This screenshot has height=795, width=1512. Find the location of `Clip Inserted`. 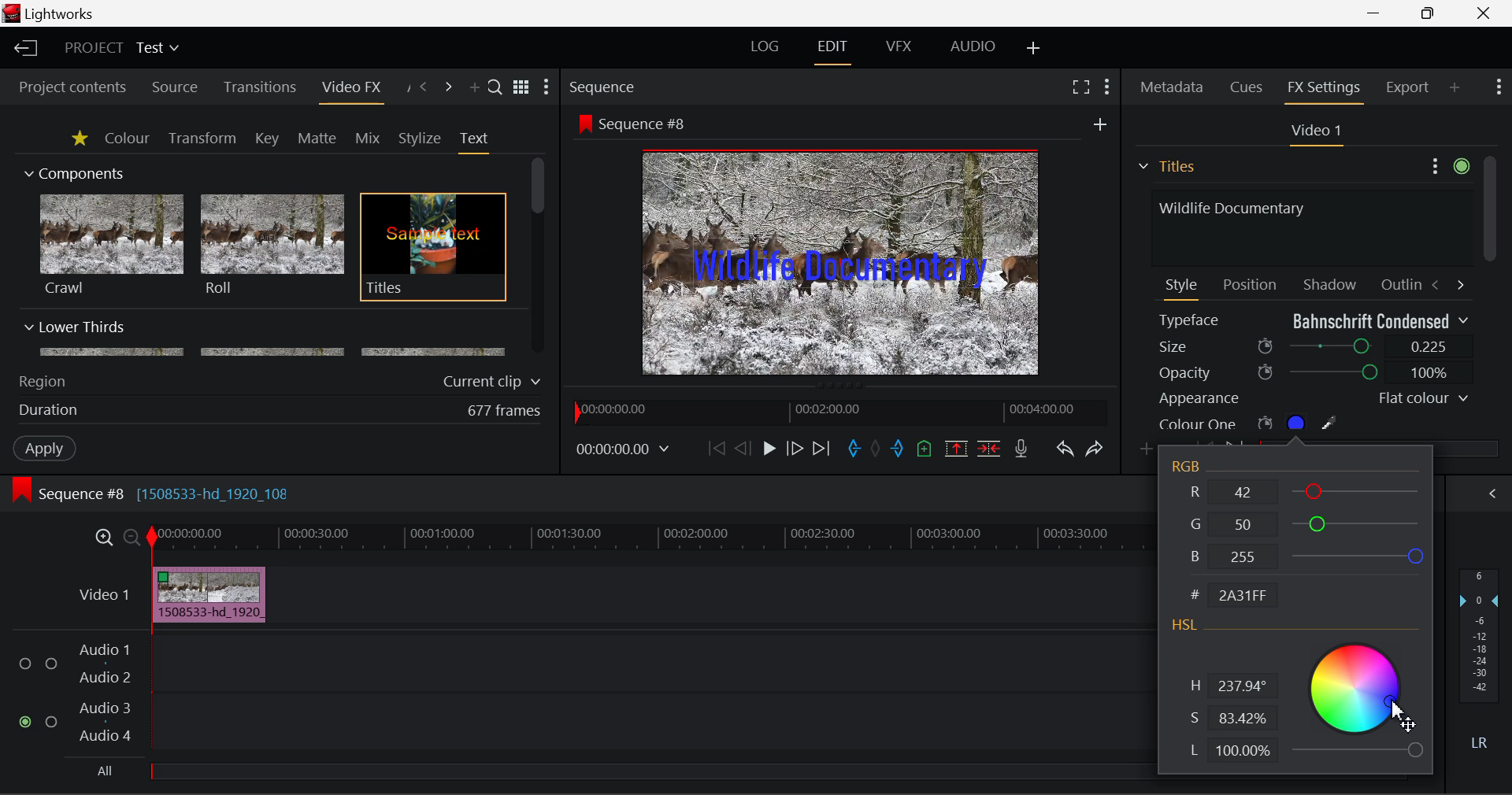

Clip Inserted is located at coordinates (205, 595).